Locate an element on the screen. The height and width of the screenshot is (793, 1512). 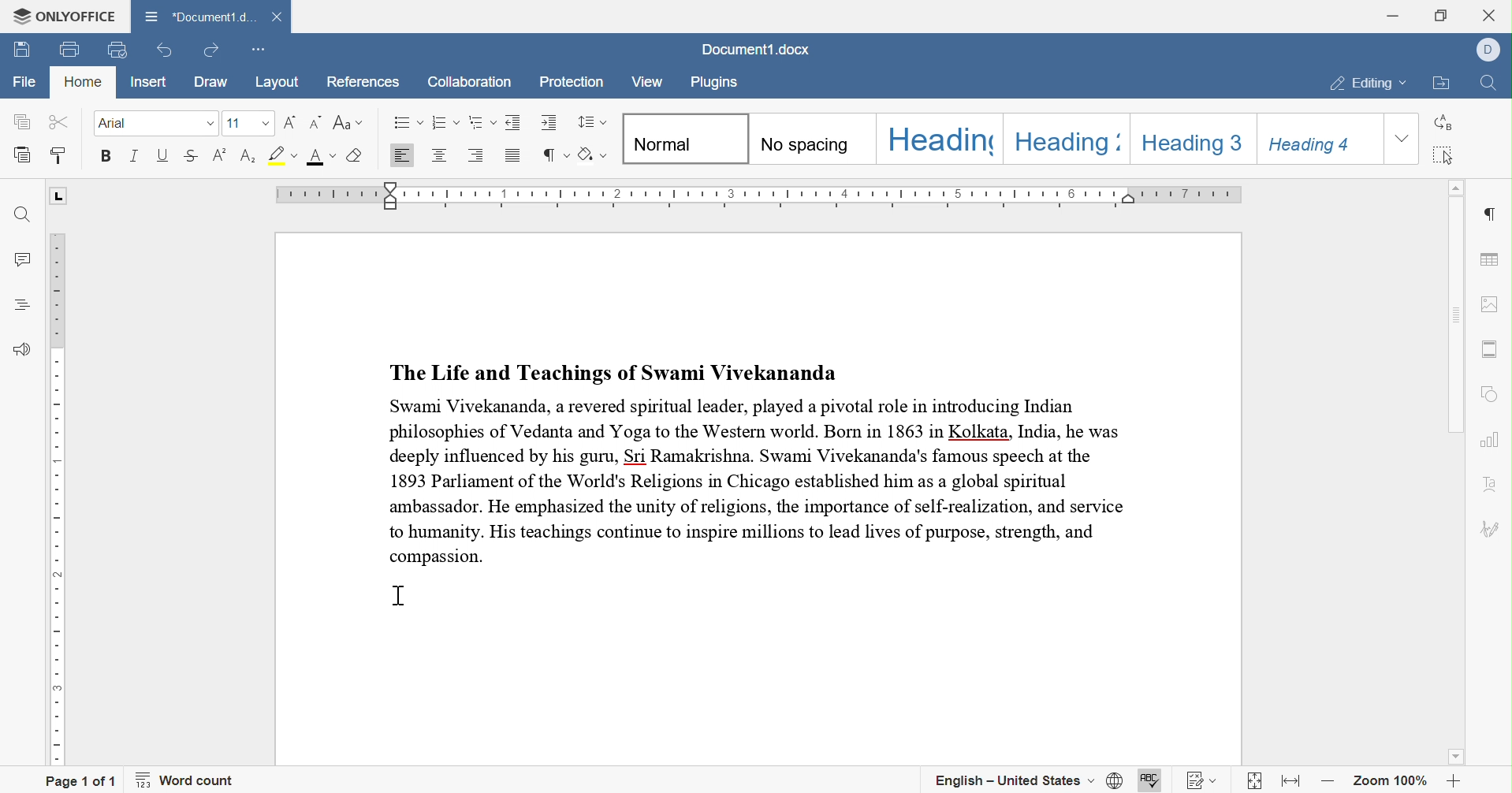
track changes is located at coordinates (1203, 782).